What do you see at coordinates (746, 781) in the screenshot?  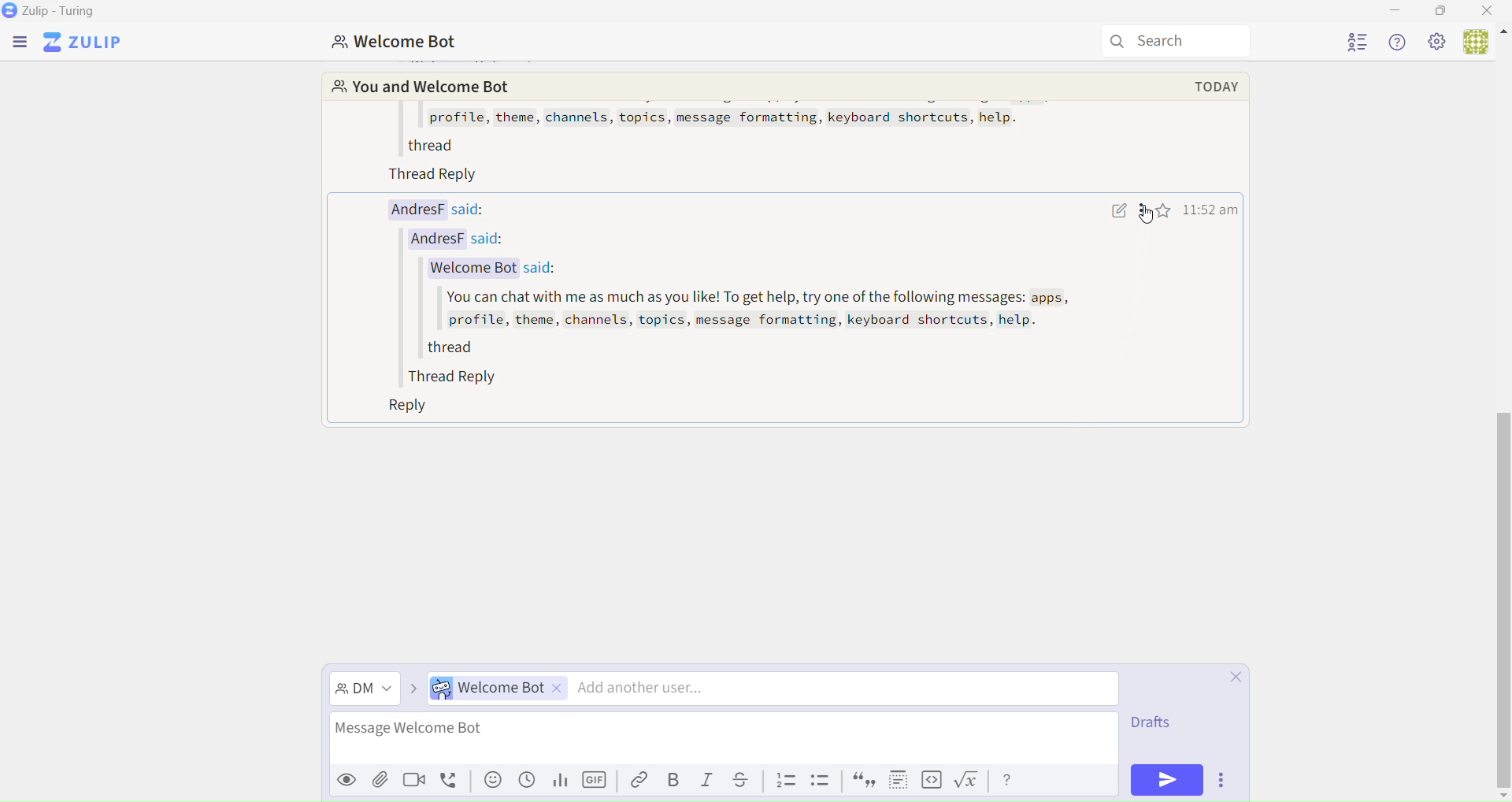 I see `Underline` at bounding box center [746, 781].